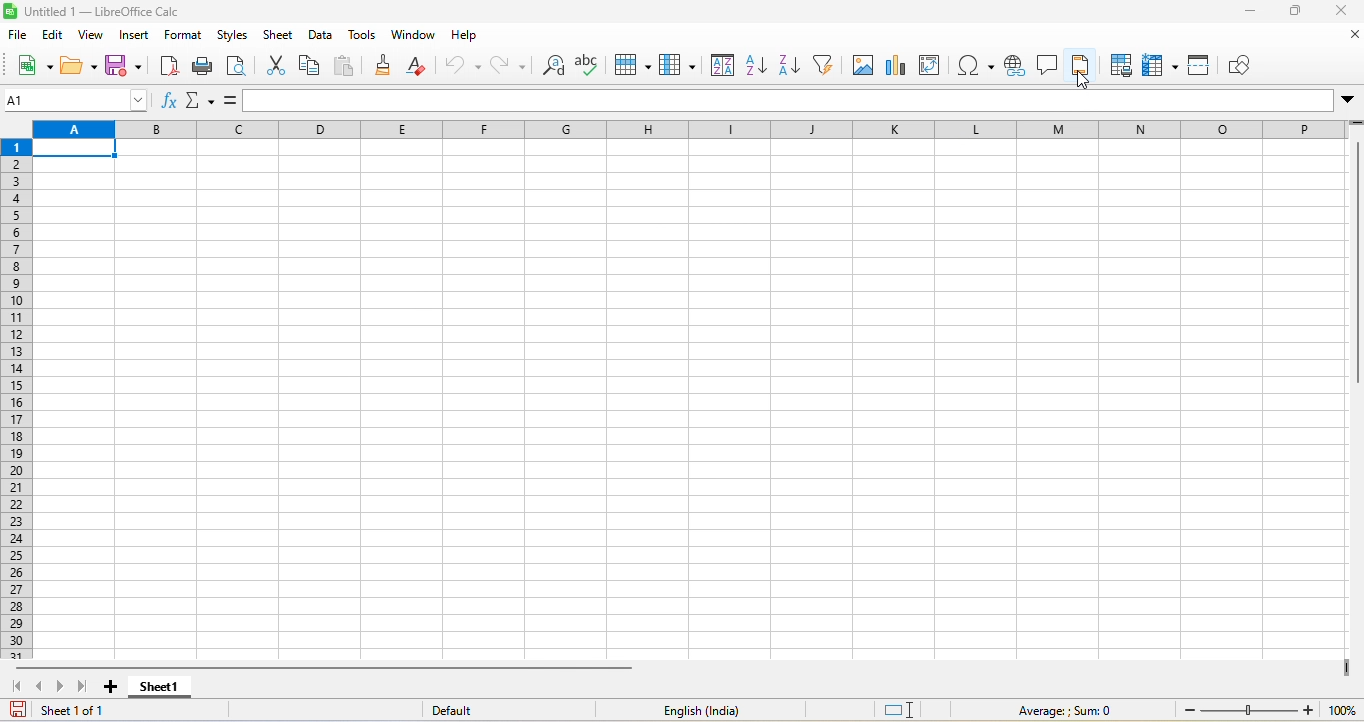  What do you see at coordinates (170, 103) in the screenshot?
I see `function wizard` at bounding box center [170, 103].